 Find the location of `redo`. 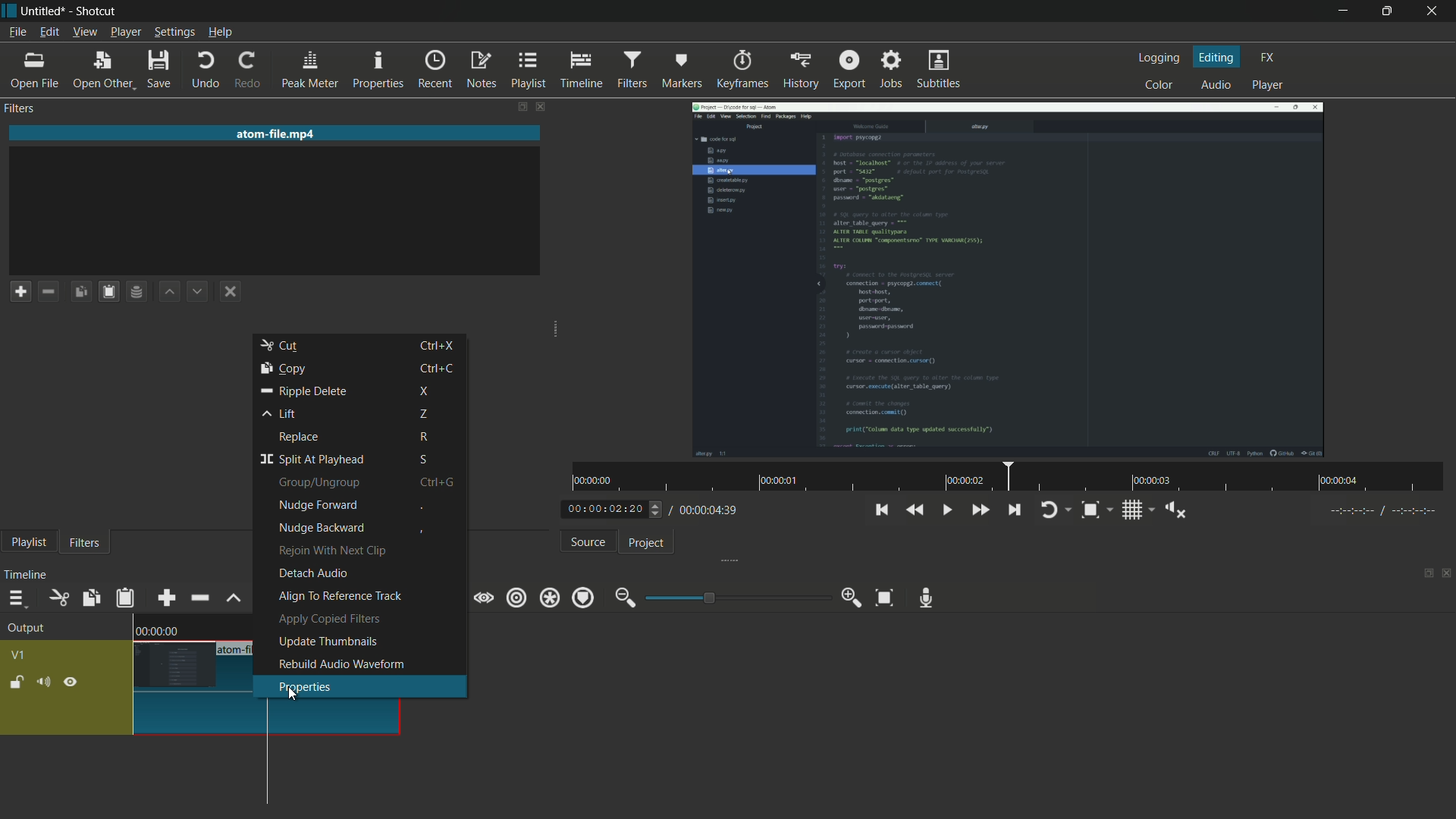

redo is located at coordinates (249, 70).